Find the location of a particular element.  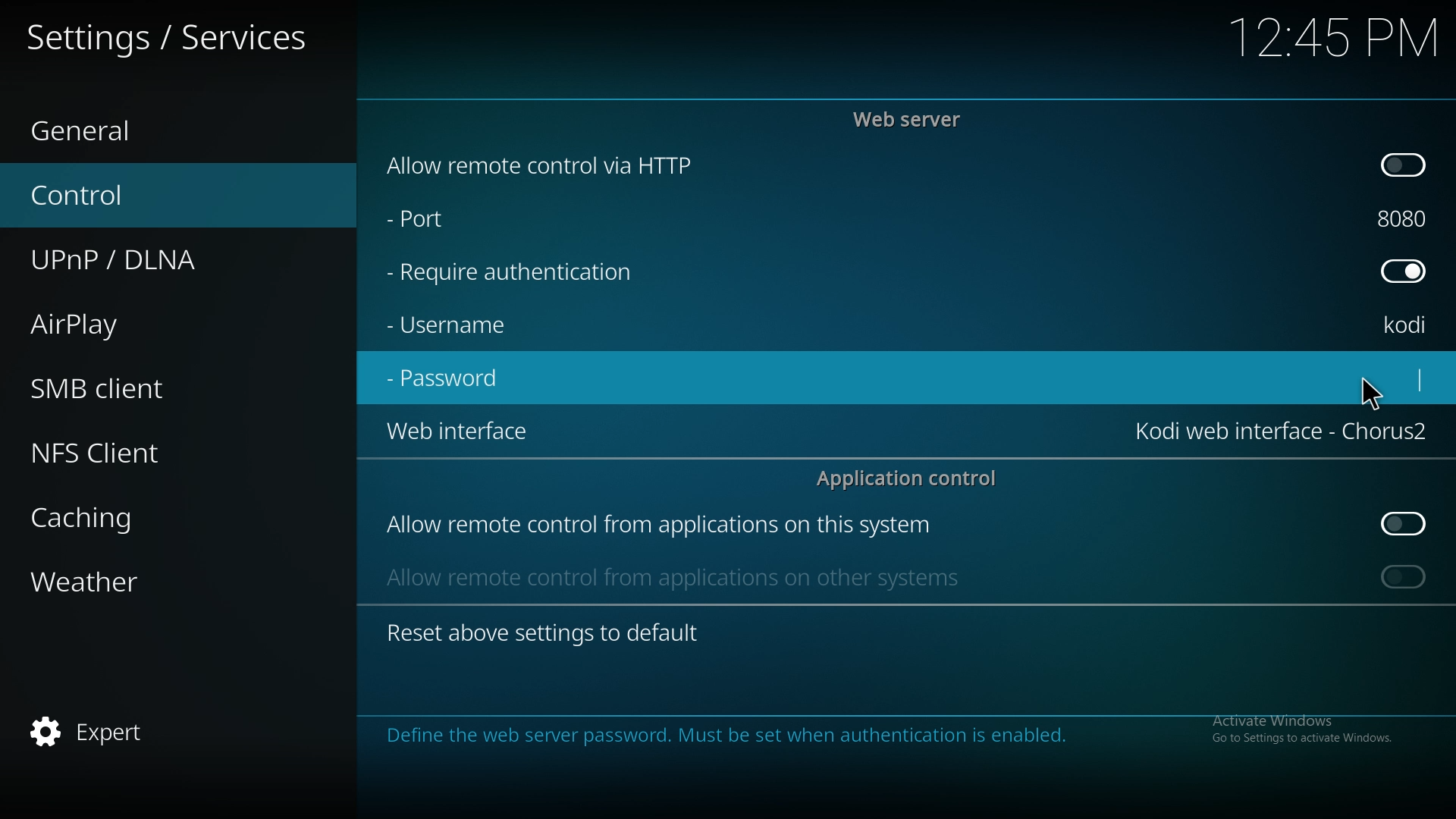

web interface is located at coordinates (457, 429).